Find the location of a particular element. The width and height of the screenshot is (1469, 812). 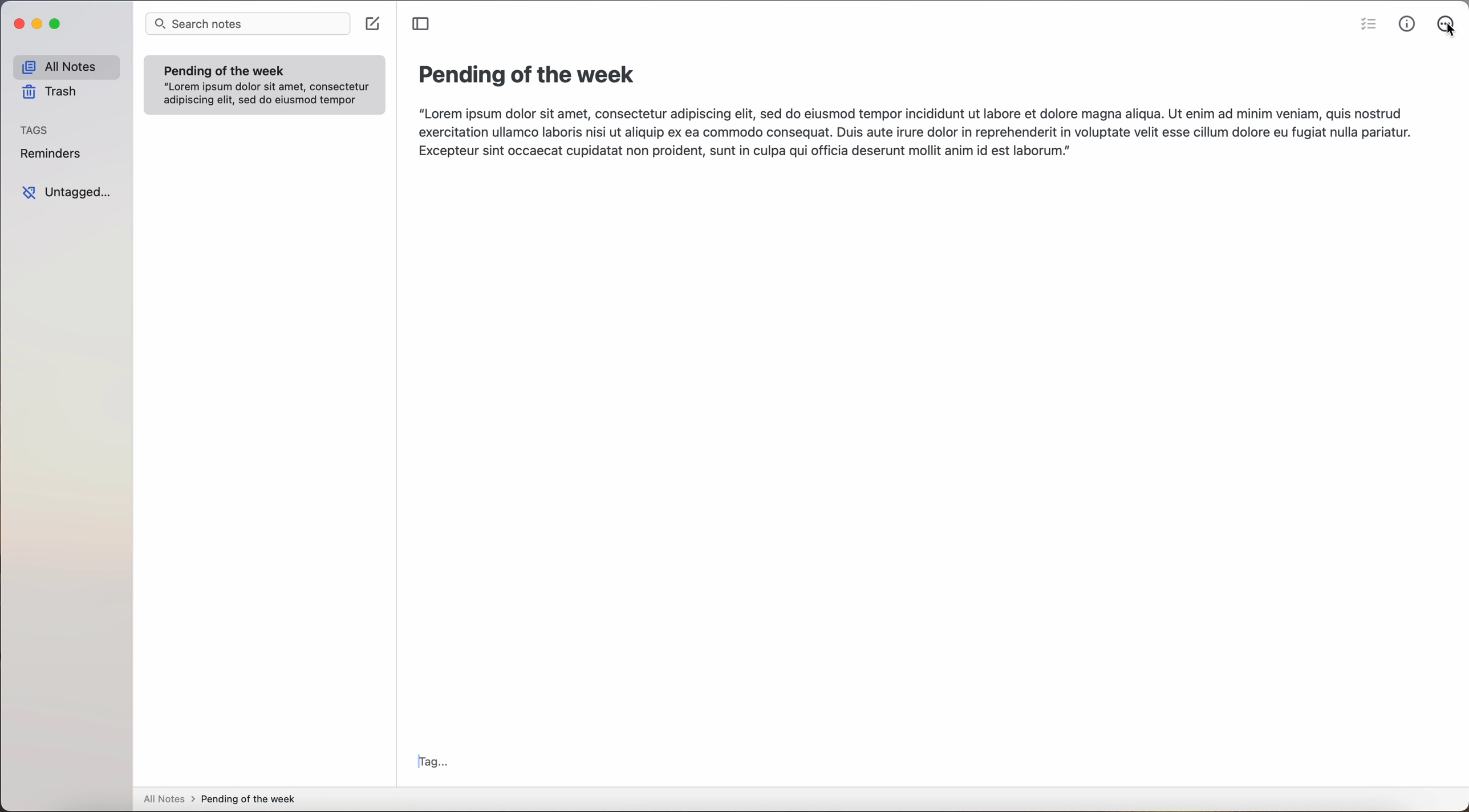

cursor is located at coordinates (1448, 35).